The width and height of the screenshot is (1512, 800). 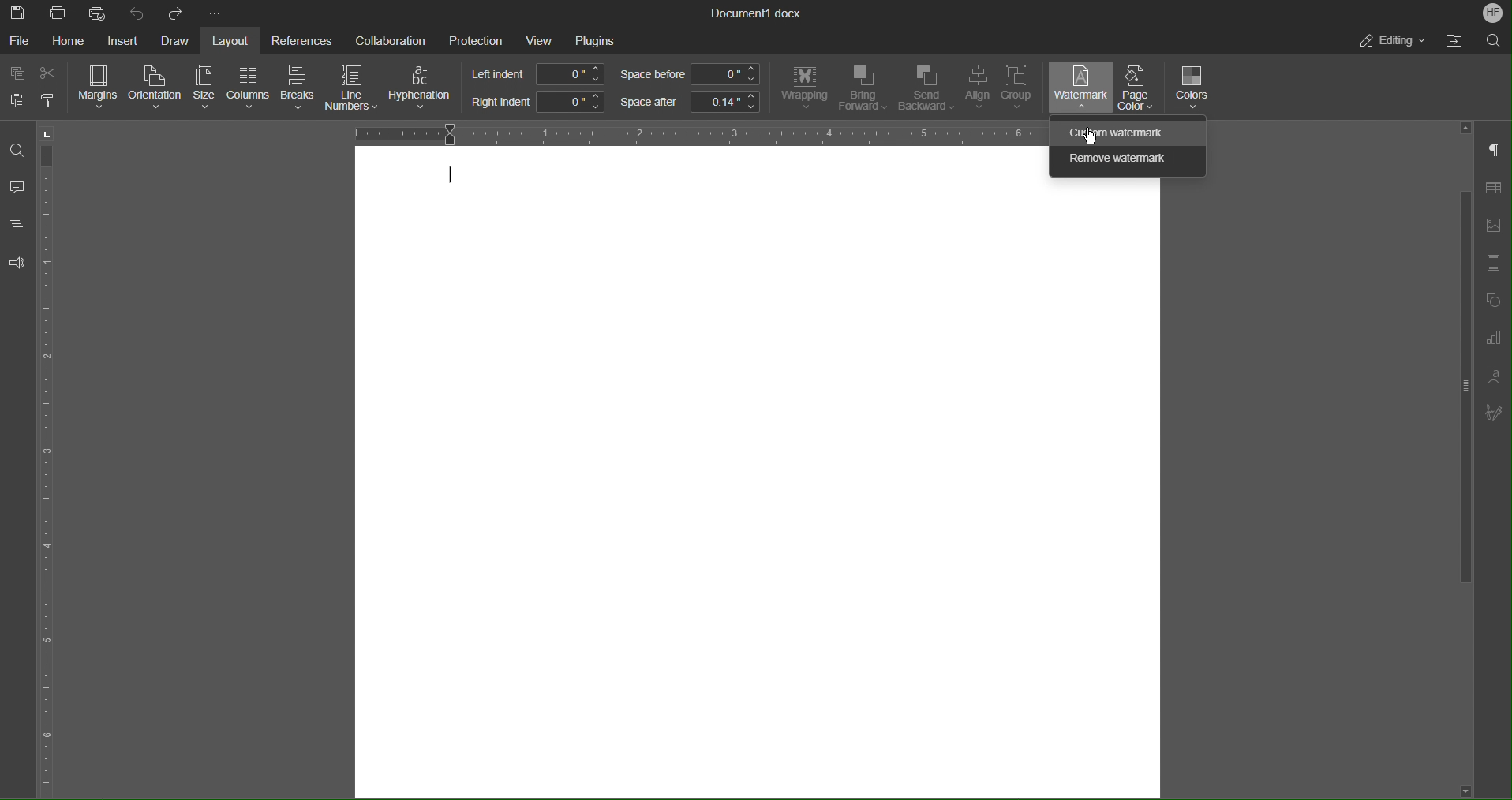 I want to click on Editing, so click(x=1391, y=40).